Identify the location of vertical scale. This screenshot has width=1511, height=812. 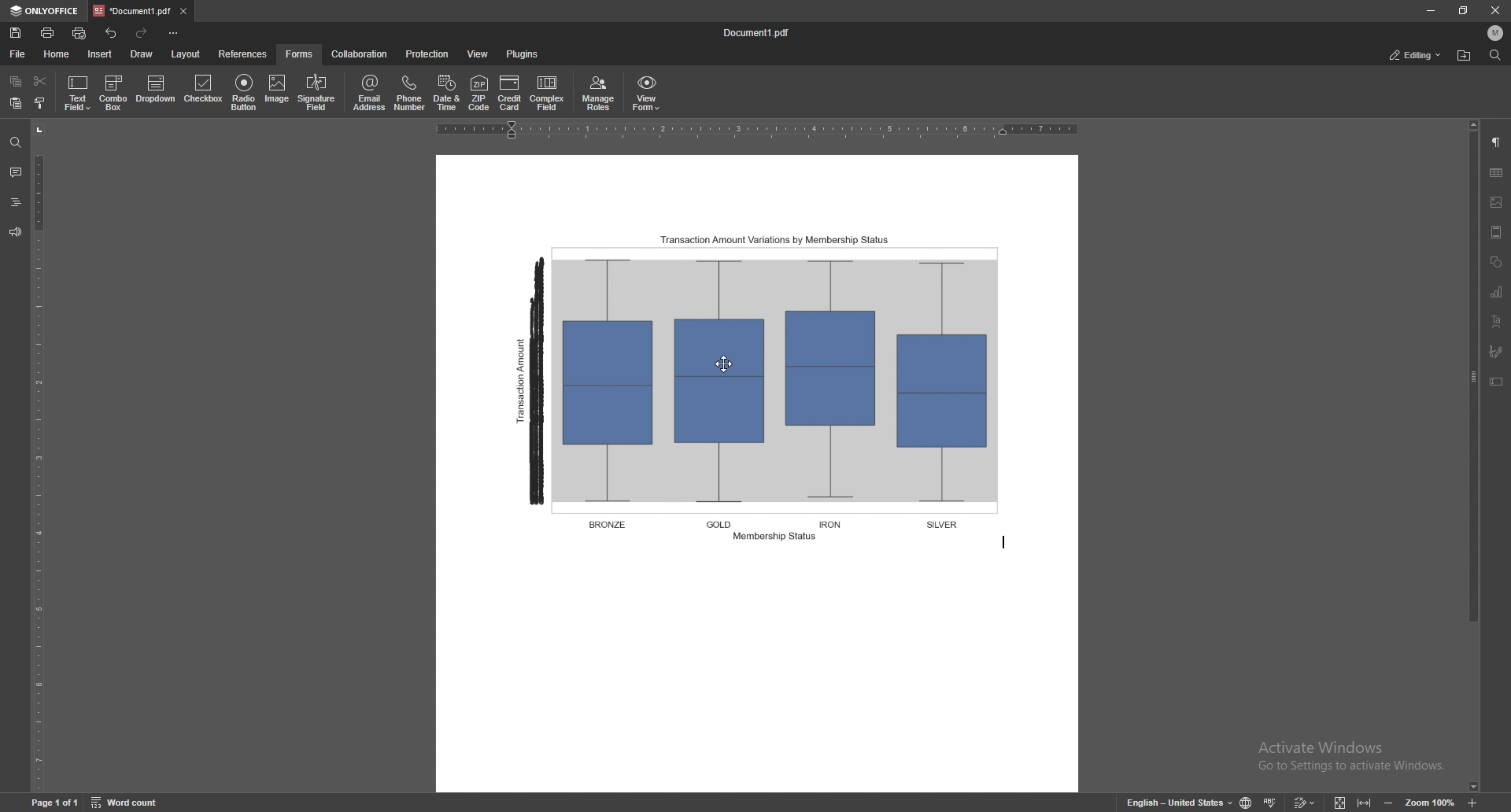
(45, 457).